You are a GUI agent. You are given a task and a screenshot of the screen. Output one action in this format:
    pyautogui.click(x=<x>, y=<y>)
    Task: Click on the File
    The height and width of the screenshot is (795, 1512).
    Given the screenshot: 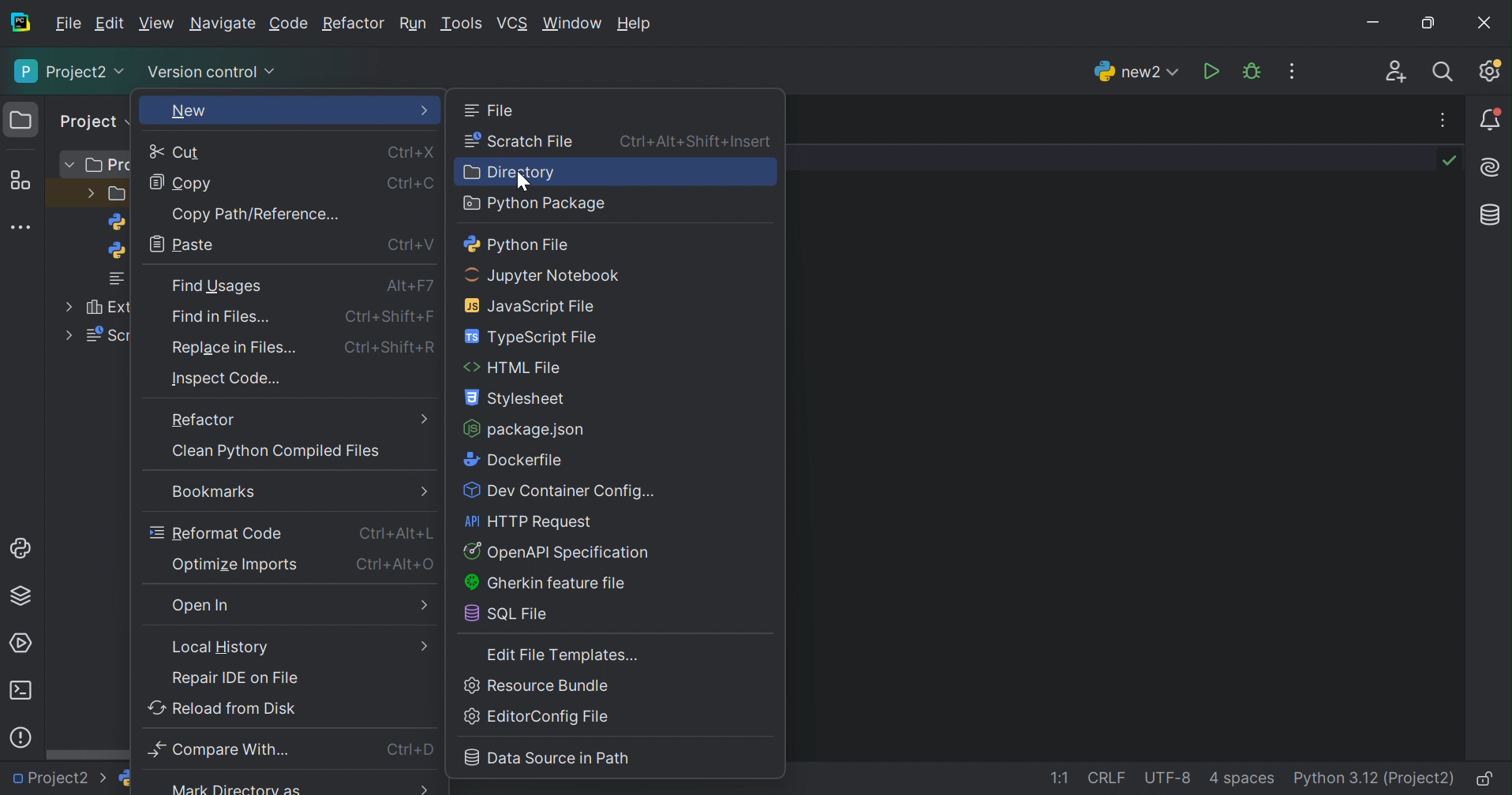 What is the action you would take?
    pyautogui.click(x=66, y=24)
    